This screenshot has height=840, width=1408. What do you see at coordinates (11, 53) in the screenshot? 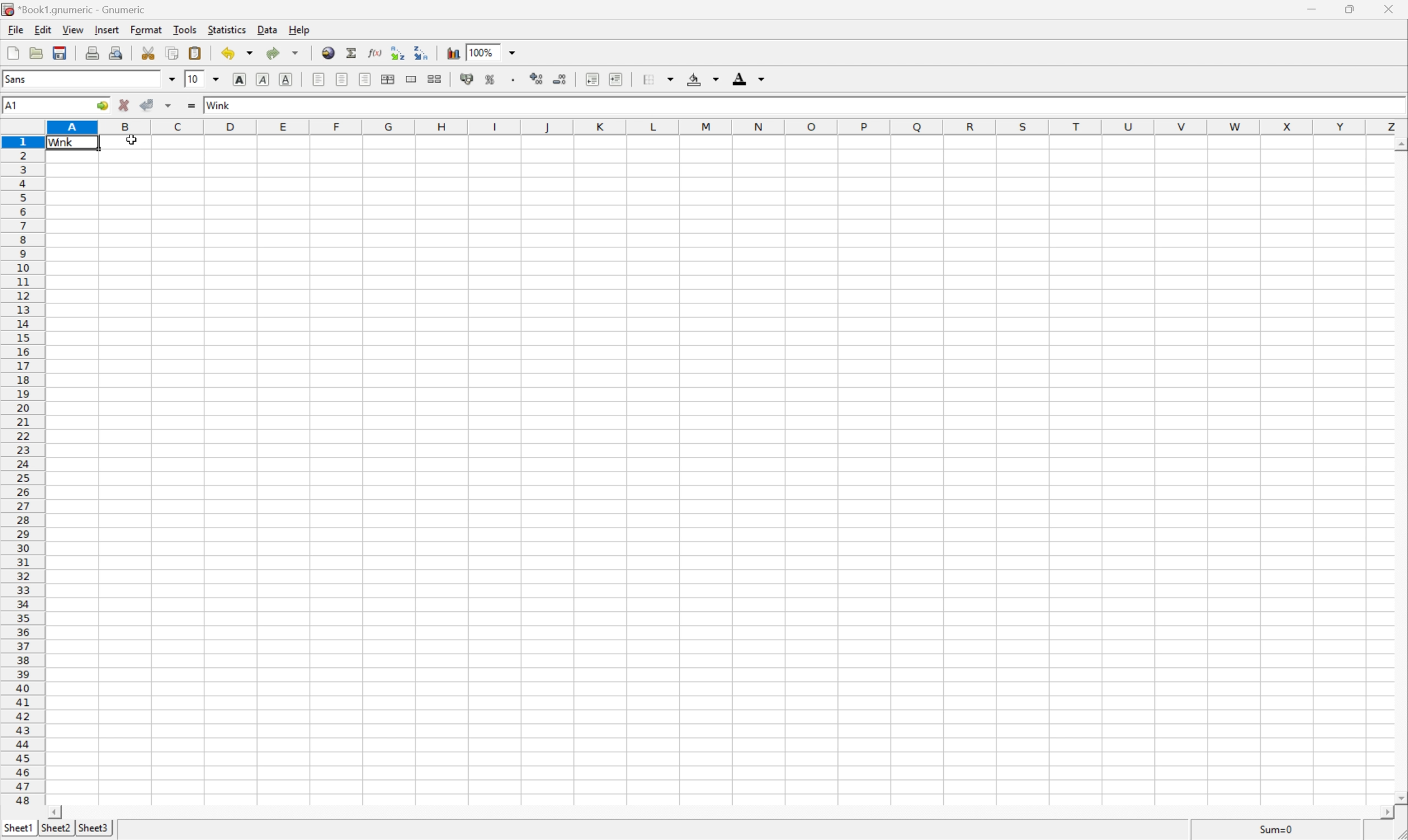
I see `new` at bounding box center [11, 53].